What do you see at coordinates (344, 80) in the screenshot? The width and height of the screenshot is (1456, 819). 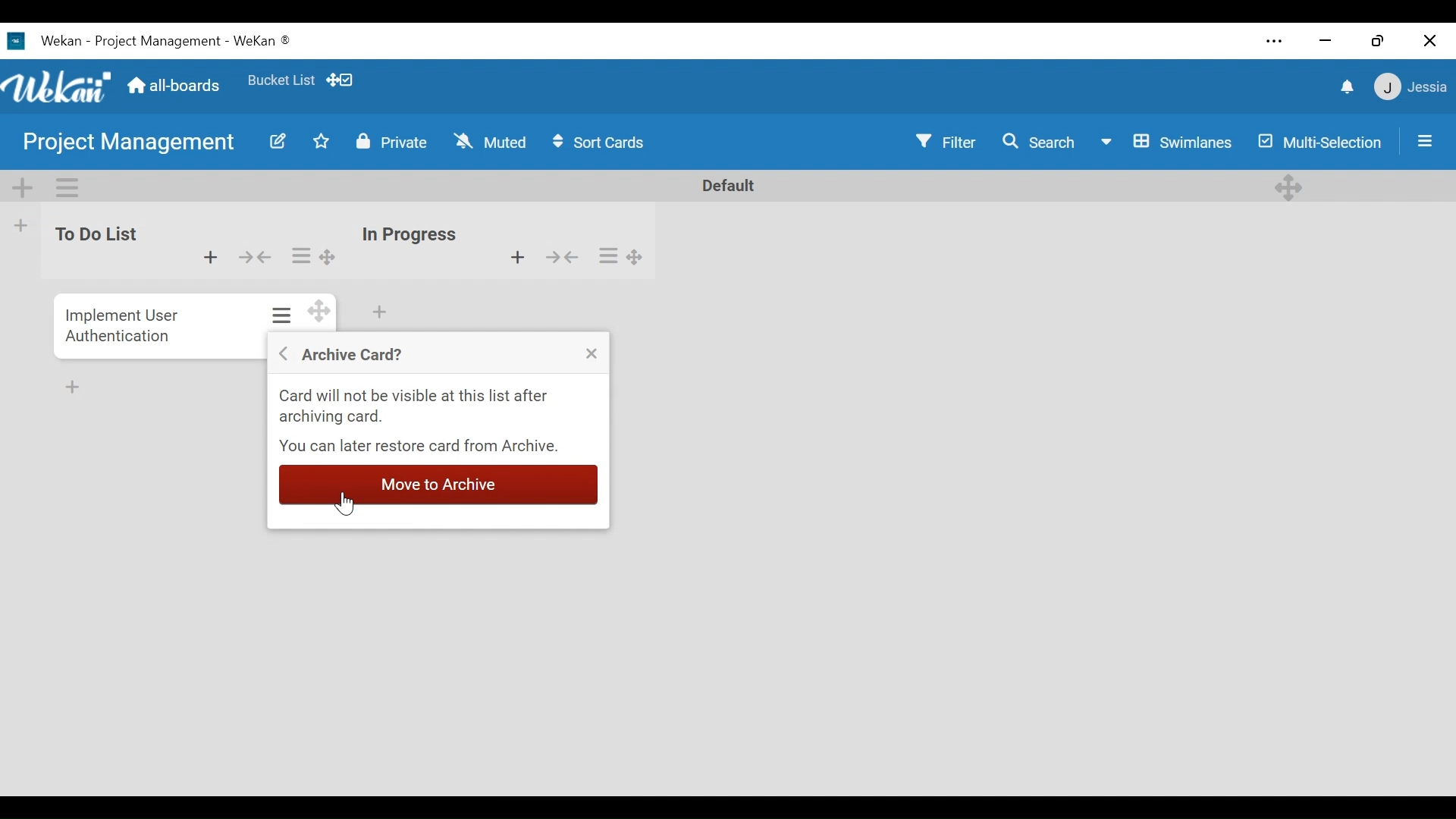 I see `Show Desktop drag handles` at bounding box center [344, 80].